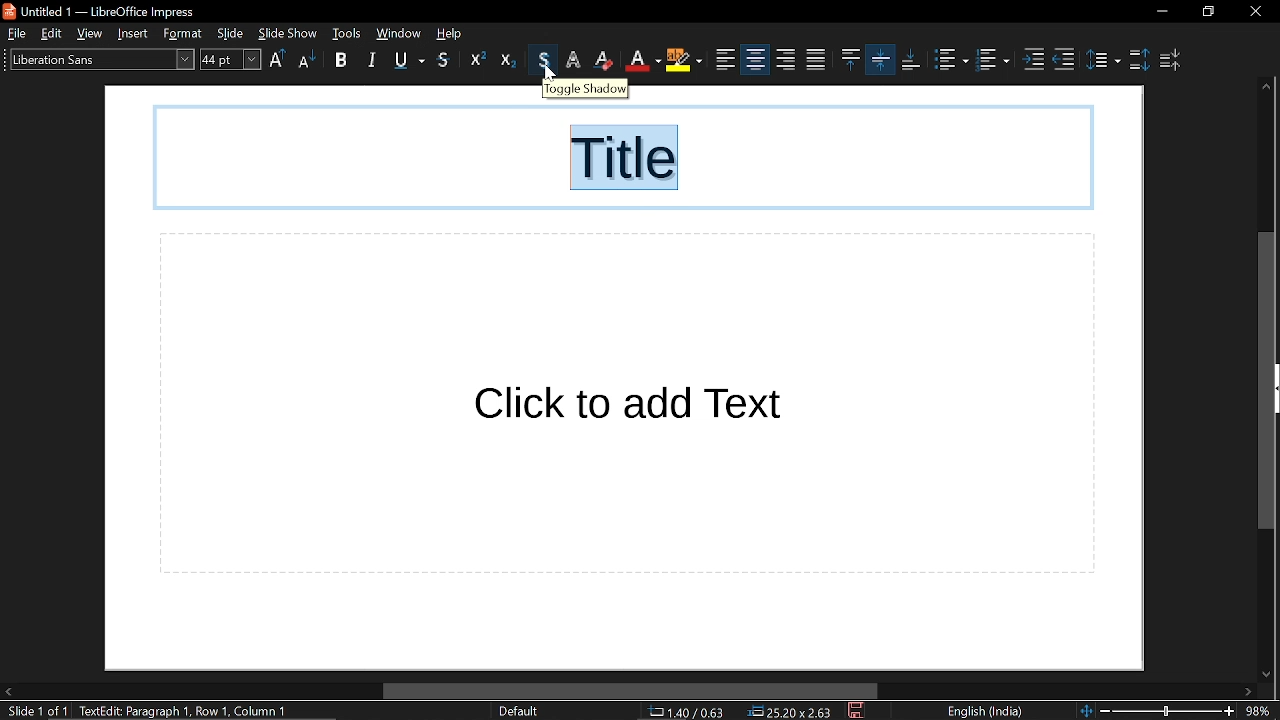 Image resolution: width=1280 pixels, height=720 pixels. I want to click on format, so click(186, 34).